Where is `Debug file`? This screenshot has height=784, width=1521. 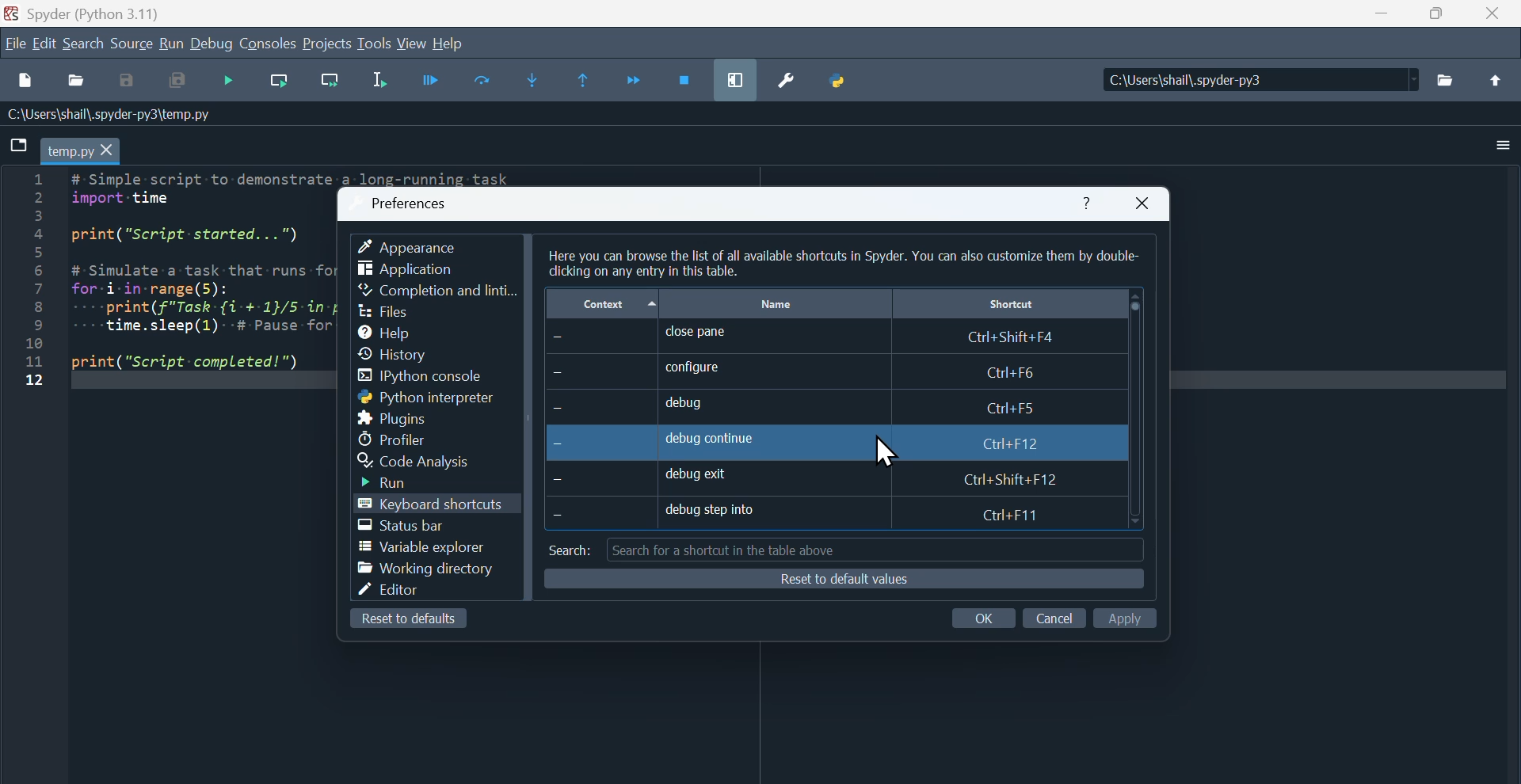 Debug file is located at coordinates (230, 84).